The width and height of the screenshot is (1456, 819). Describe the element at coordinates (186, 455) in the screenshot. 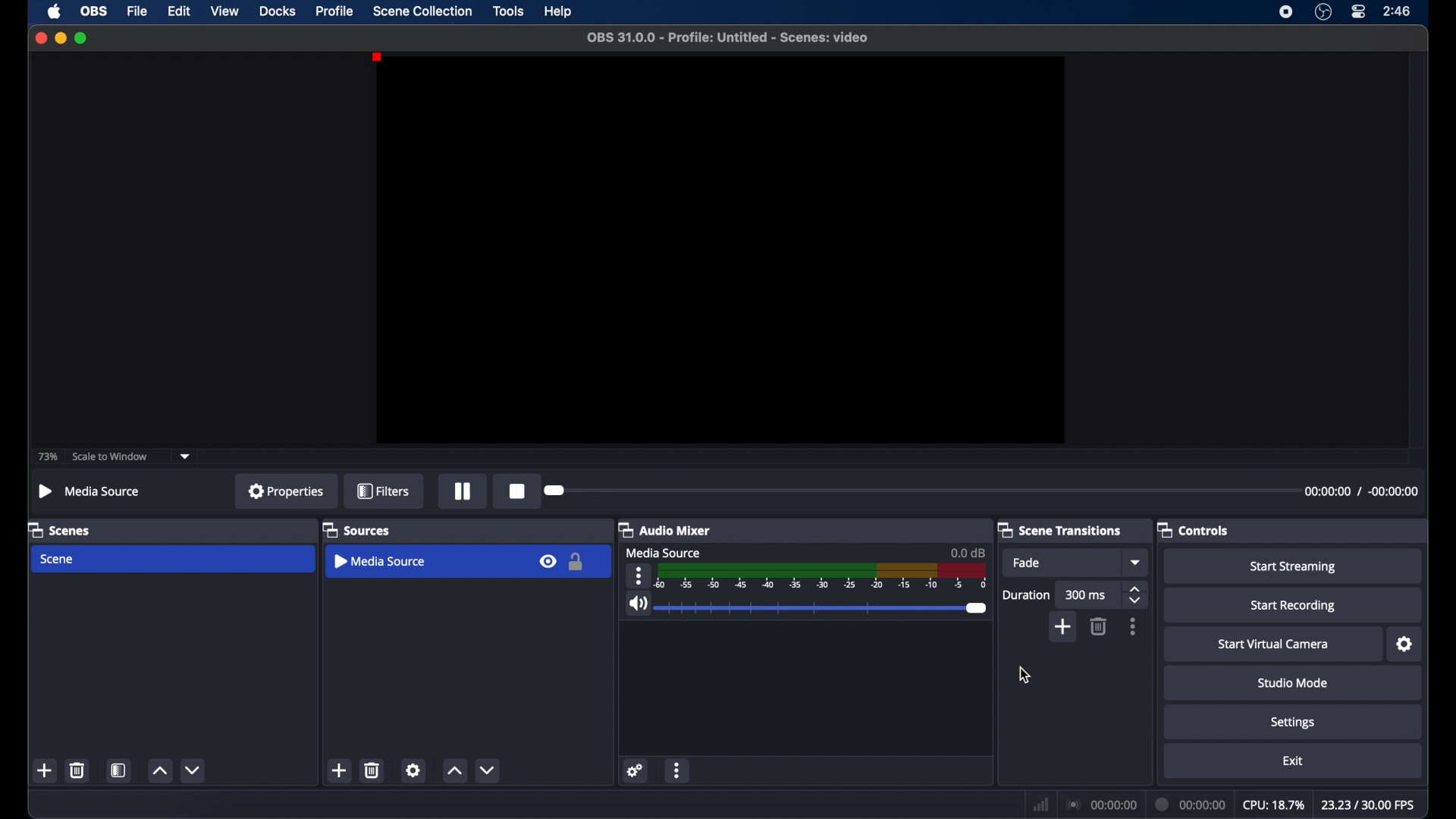

I see `dropdown` at that location.